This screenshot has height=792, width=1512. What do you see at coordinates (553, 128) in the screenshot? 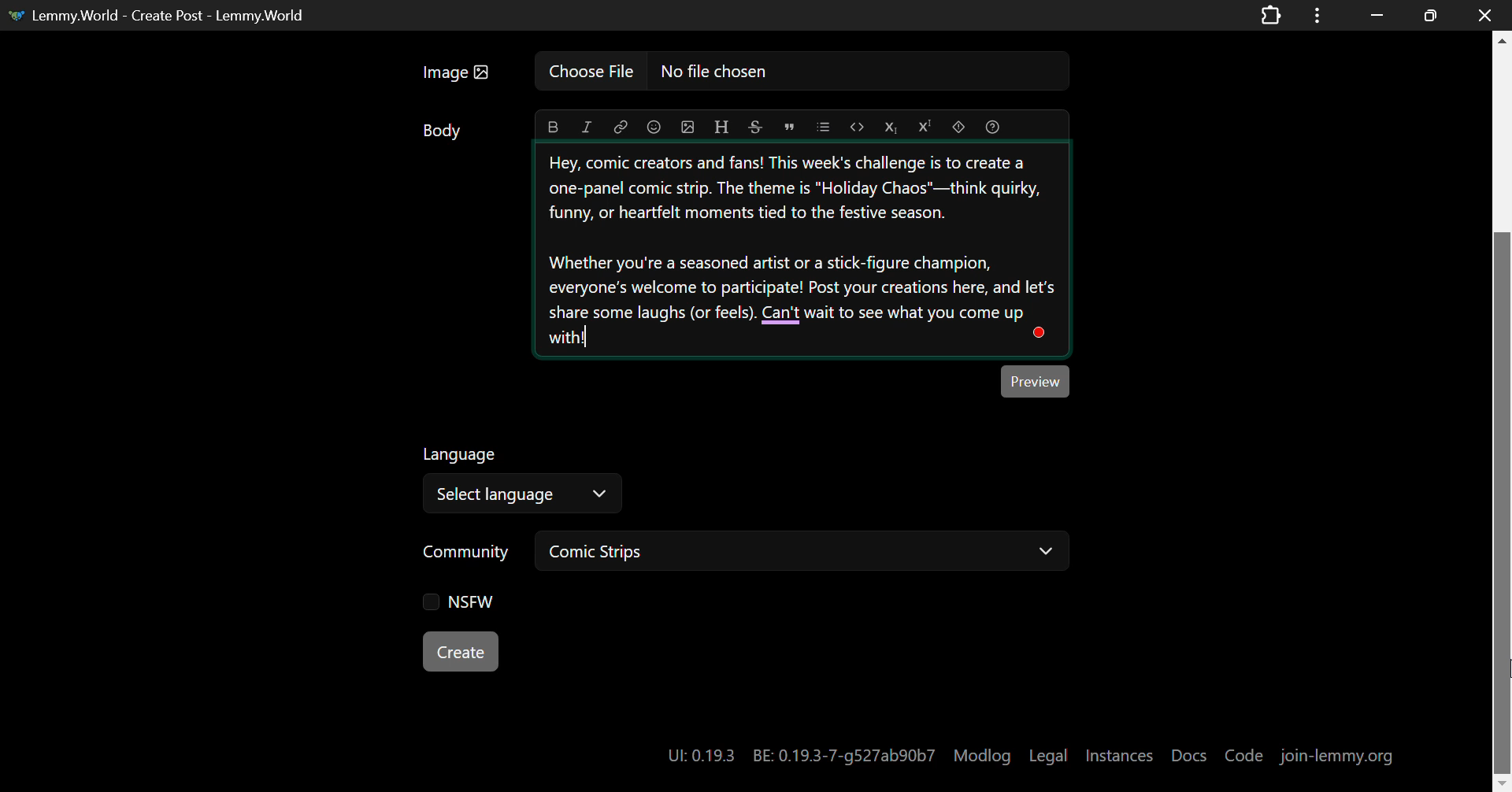
I see `bold` at bounding box center [553, 128].